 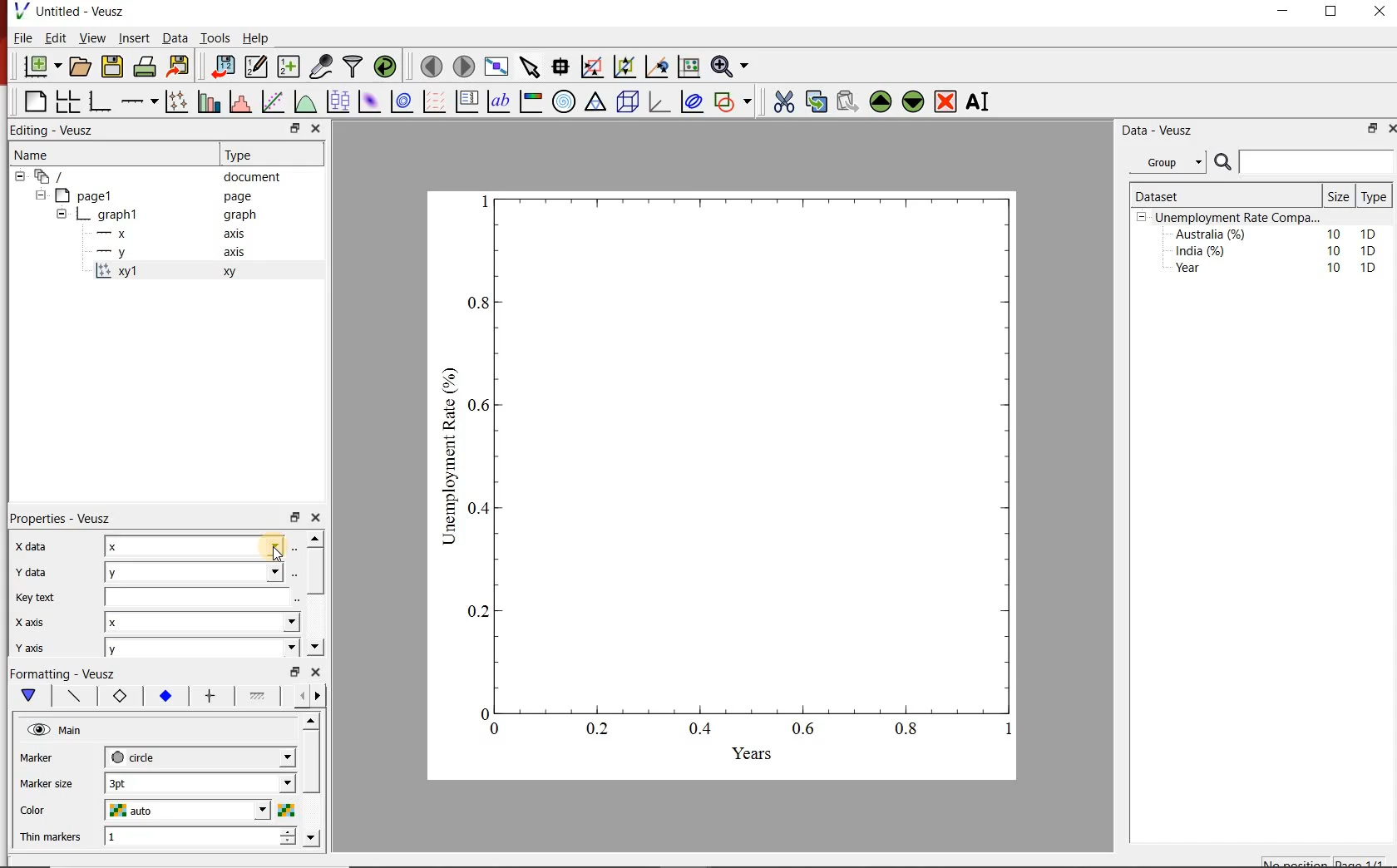 I want to click on polar graph, so click(x=565, y=102).